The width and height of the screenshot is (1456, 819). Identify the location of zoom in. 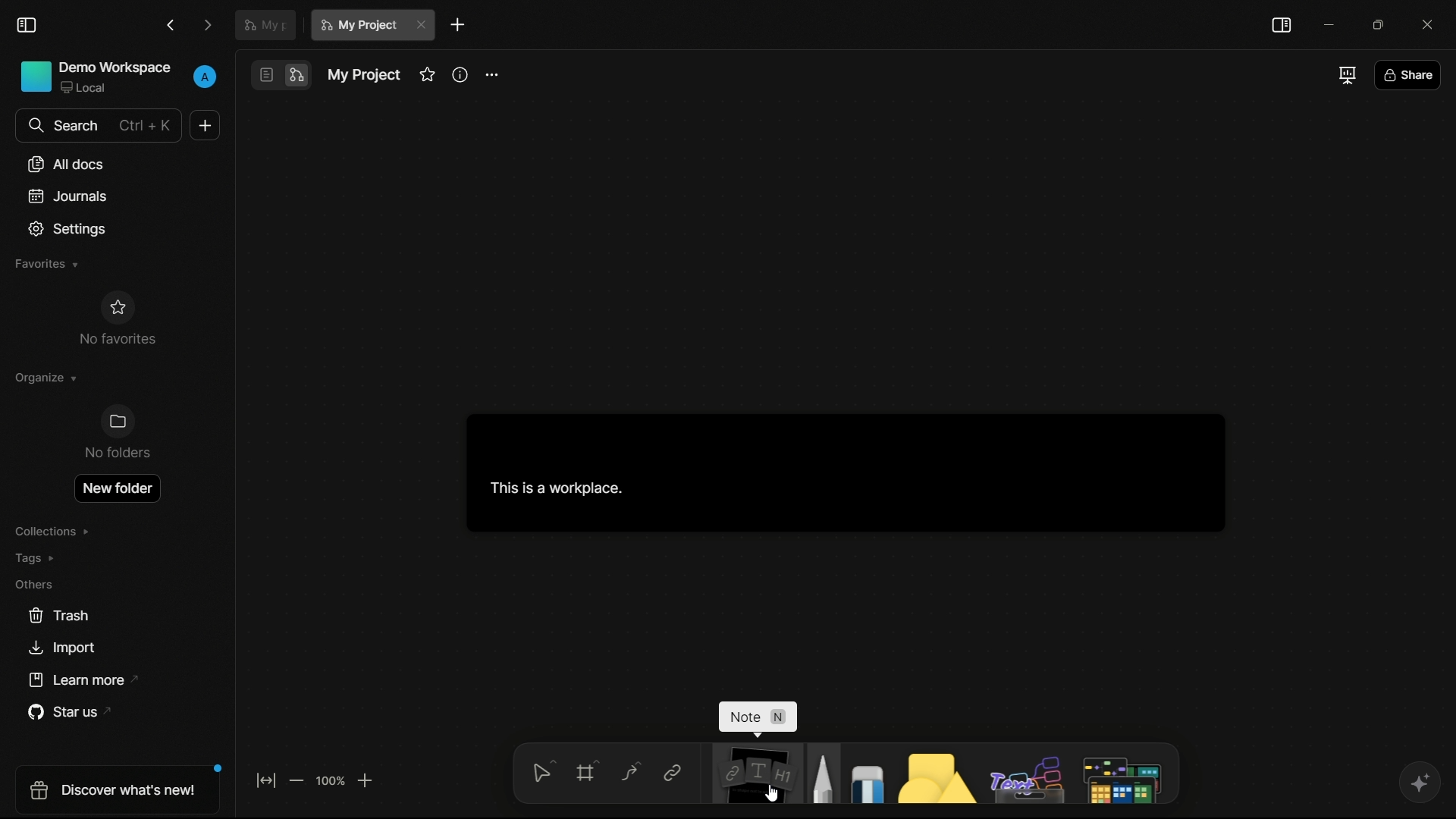
(366, 780).